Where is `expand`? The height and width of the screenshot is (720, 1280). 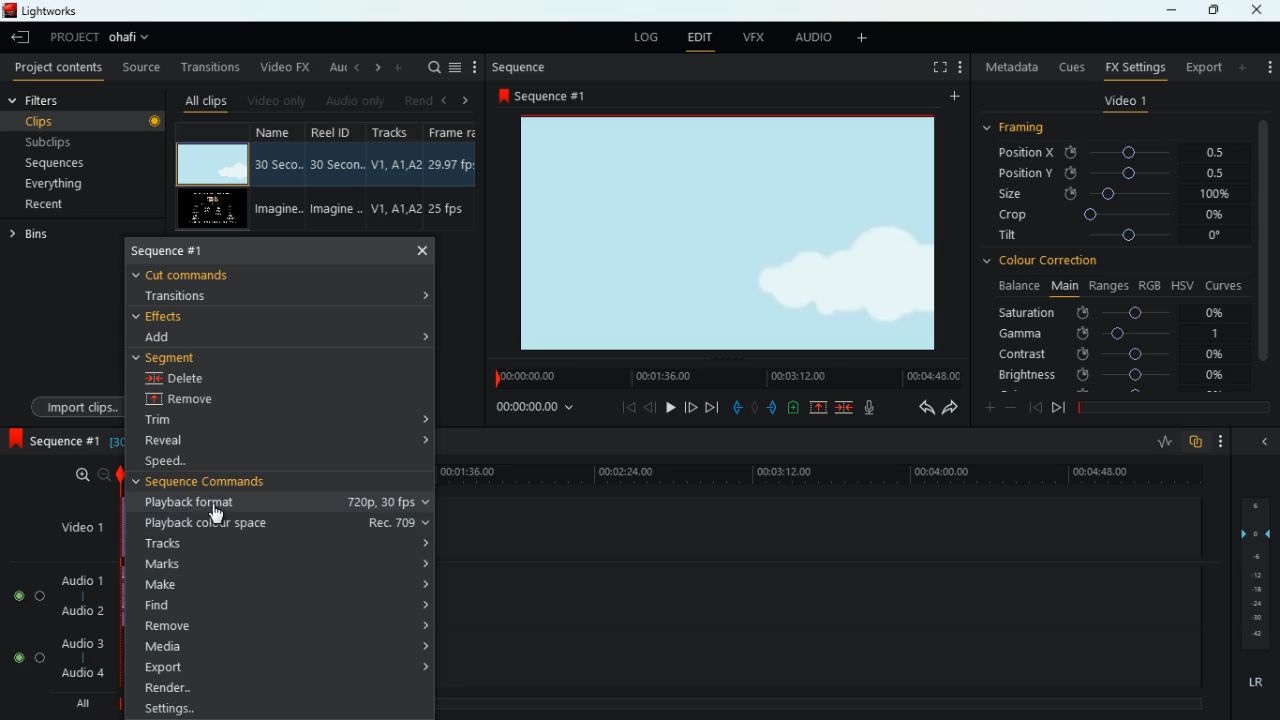 expand is located at coordinates (424, 336).